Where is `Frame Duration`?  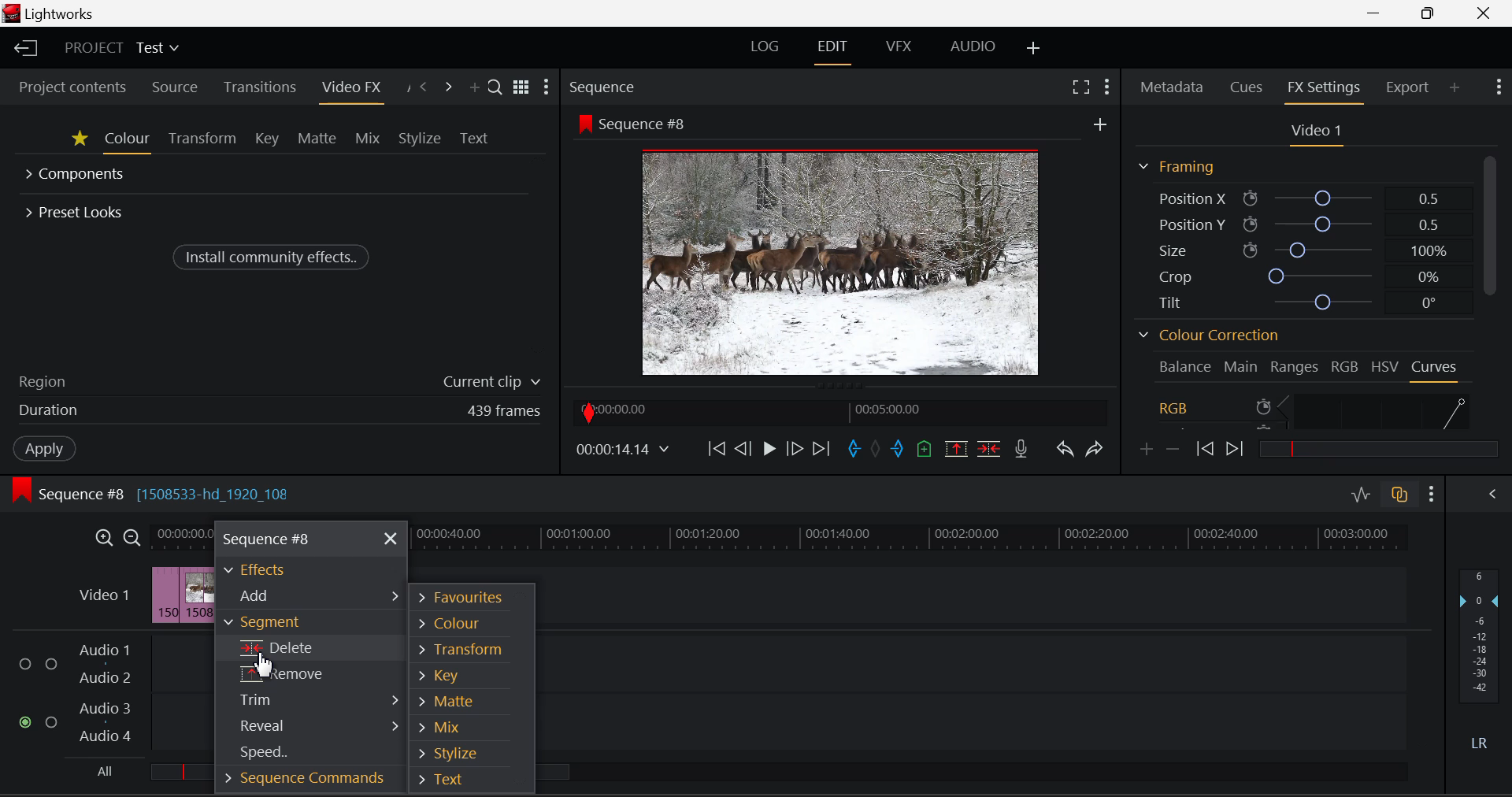
Frame Duration is located at coordinates (280, 411).